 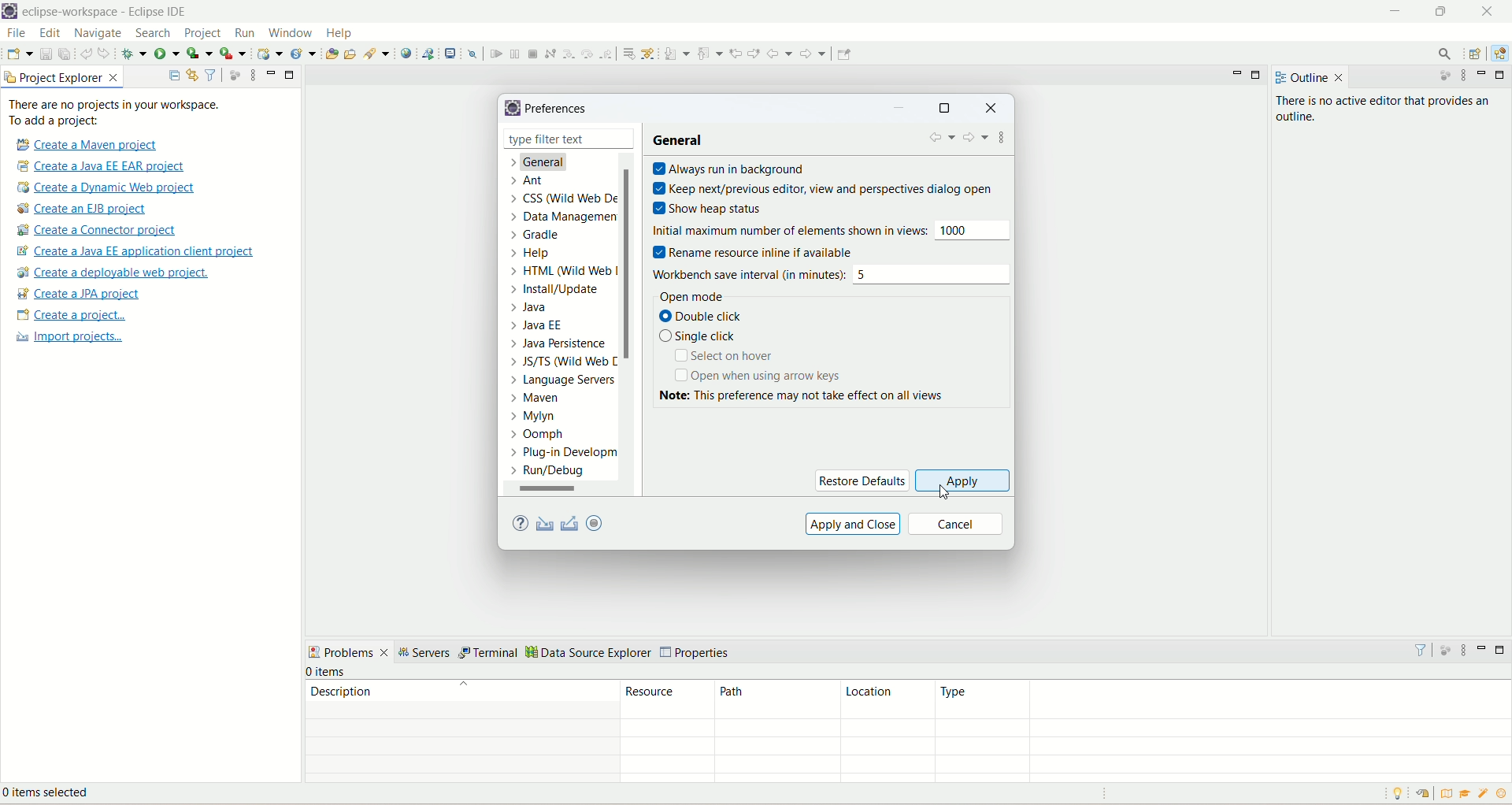 What do you see at coordinates (19, 54) in the screenshot?
I see `new` at bounding box center [19, 54].